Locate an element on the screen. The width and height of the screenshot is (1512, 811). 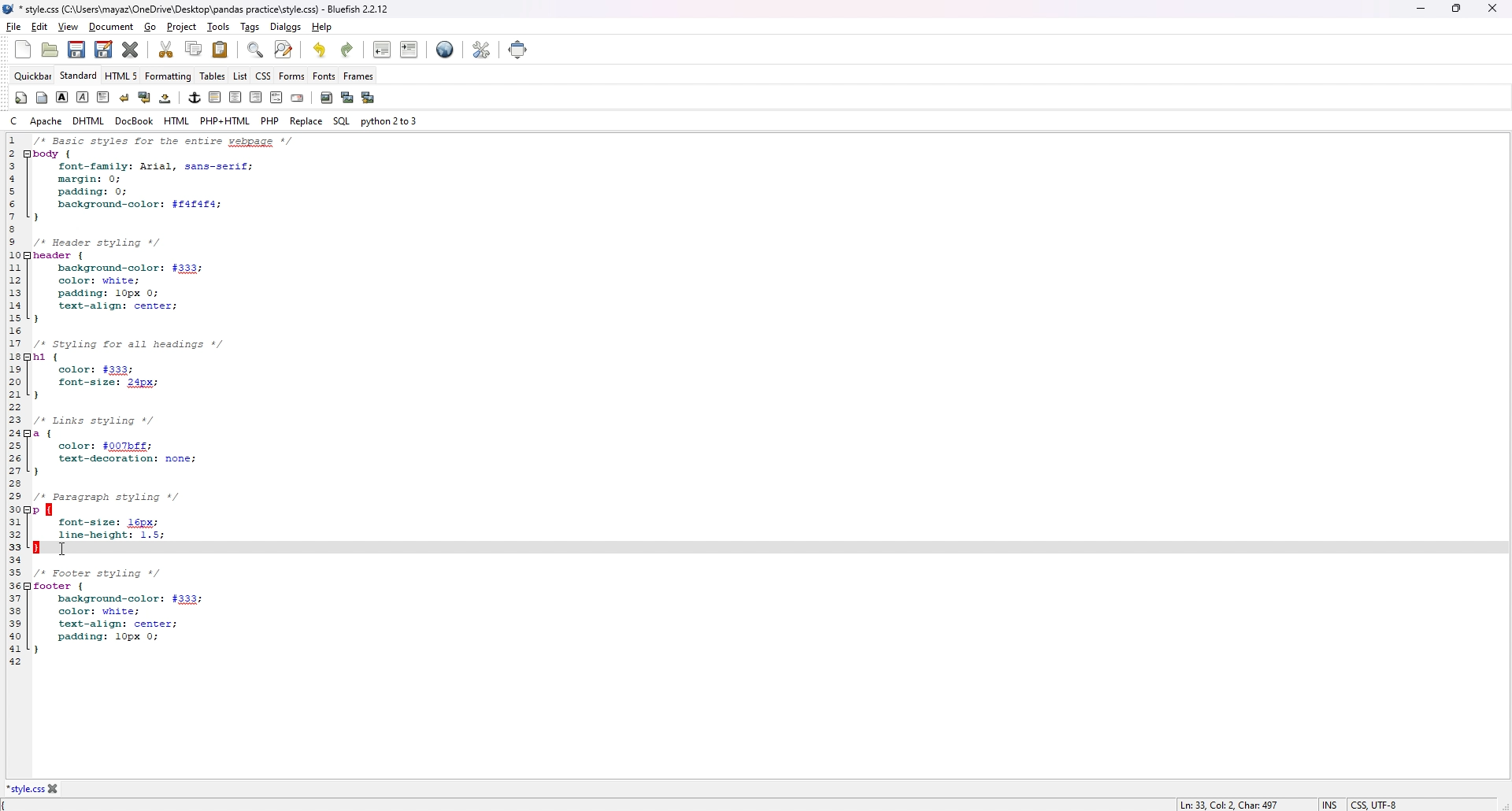
dhtml is located at coordinates (90, 121).